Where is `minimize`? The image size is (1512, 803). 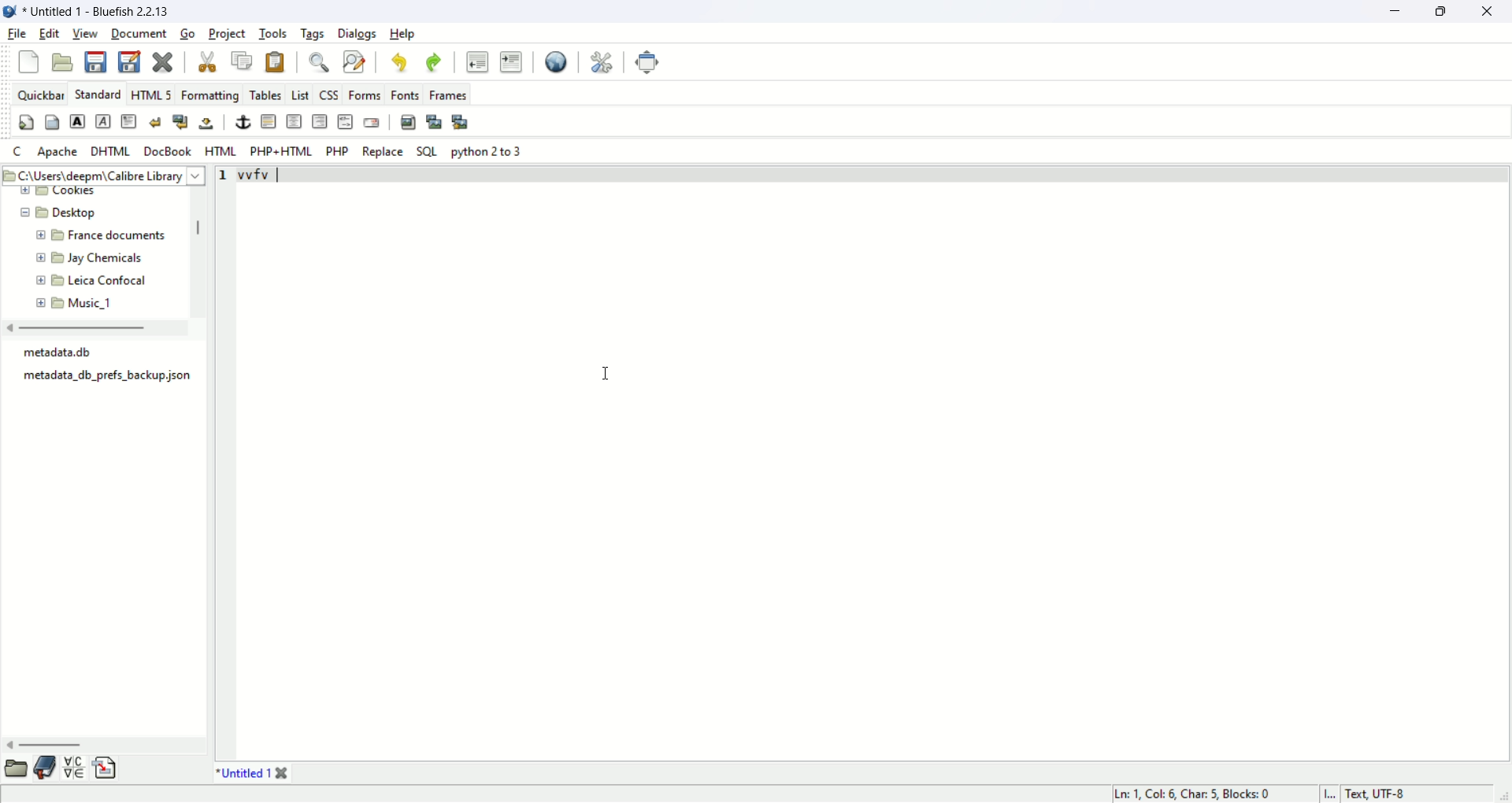 minimize is located at coordinates (1393, 10).